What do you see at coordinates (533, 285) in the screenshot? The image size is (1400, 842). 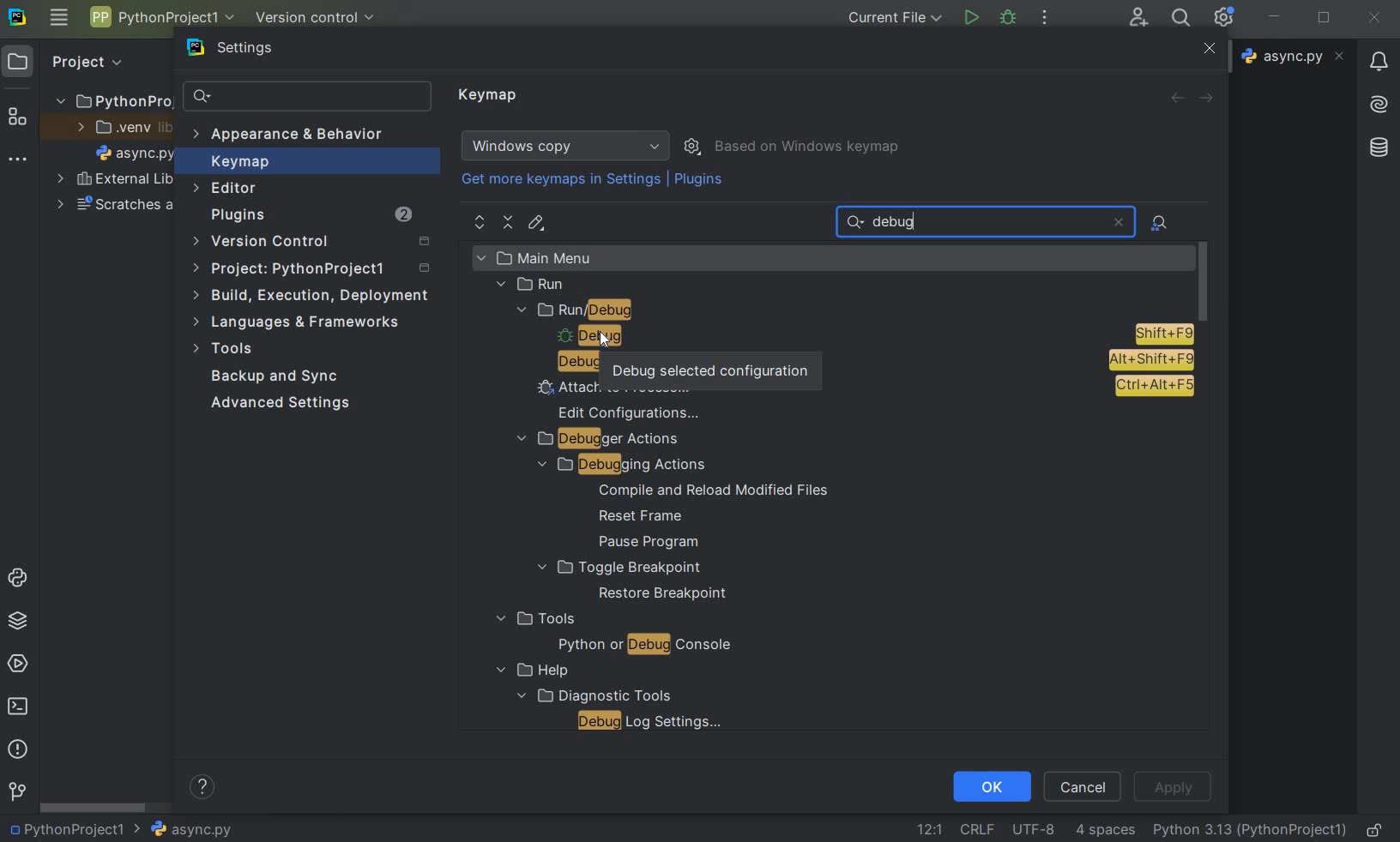 I see `run` at bounding box center [533, 285].